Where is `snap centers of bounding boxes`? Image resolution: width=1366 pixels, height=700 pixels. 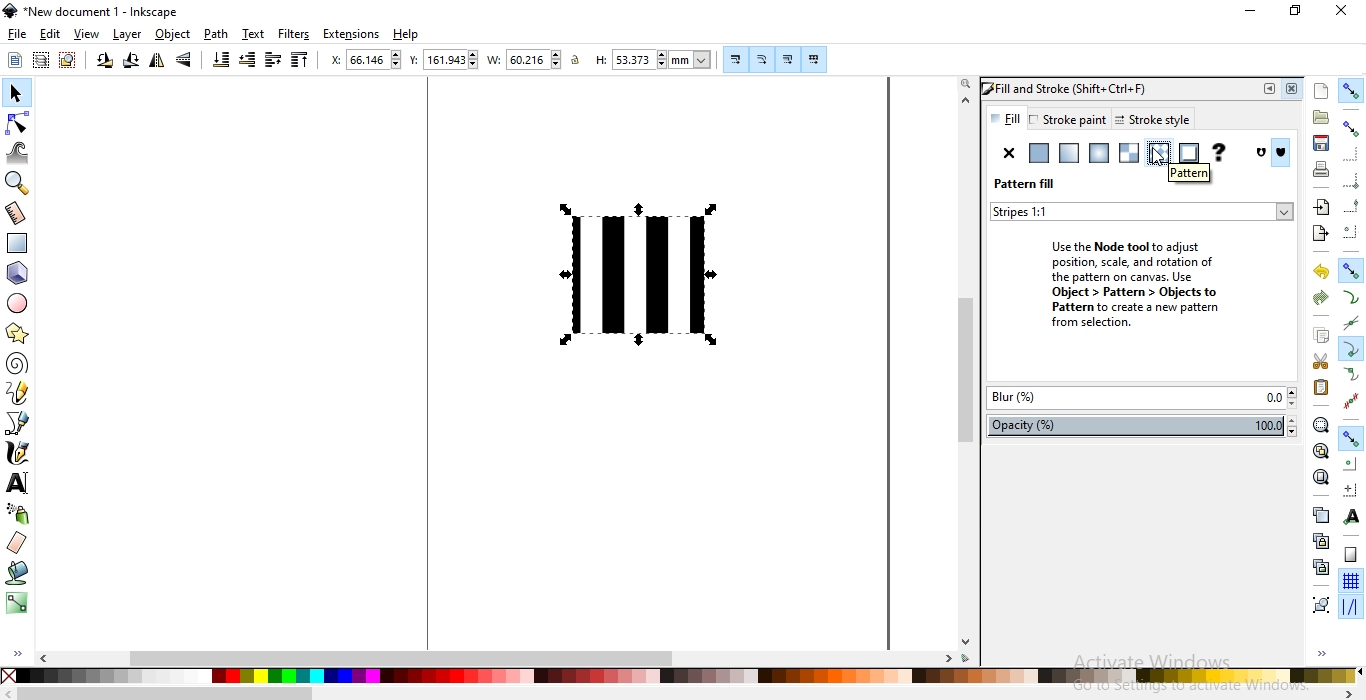
snap centers of bounding boxes is located at coordinates (1352, 231).